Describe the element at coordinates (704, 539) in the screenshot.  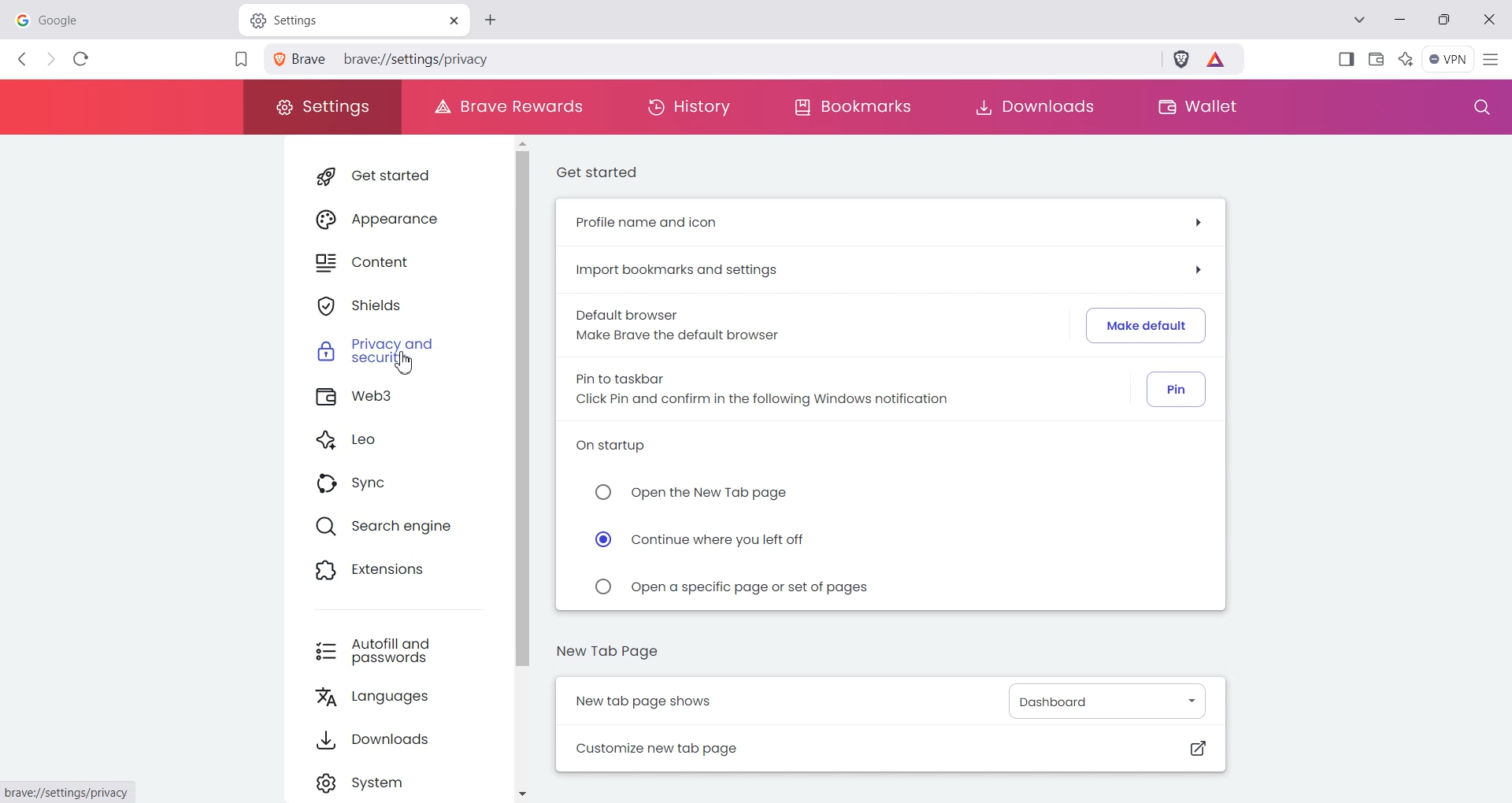
I see `Enable continue where you left off` at that location.